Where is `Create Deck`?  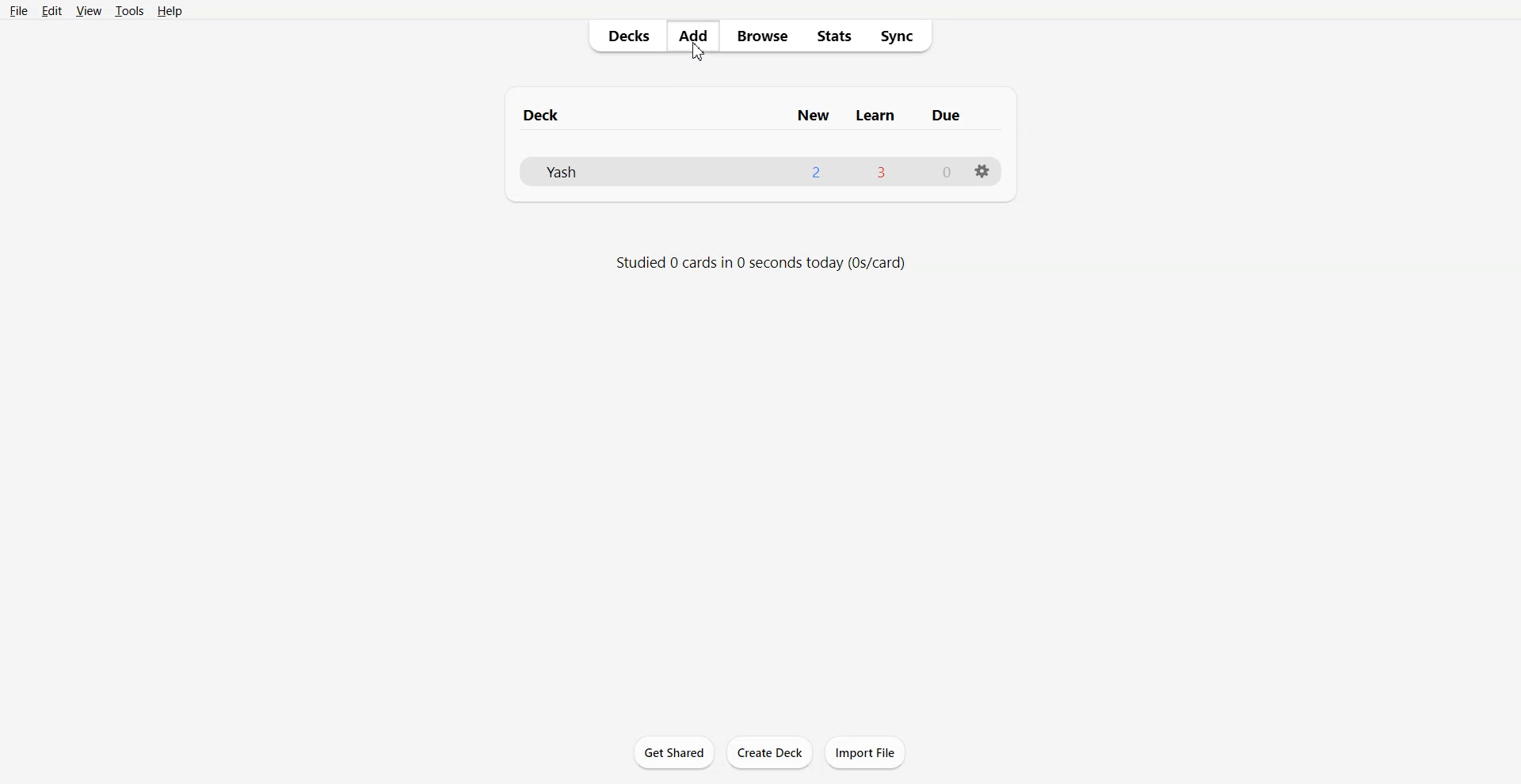
Create Deck is located at coordinates (769, 752).